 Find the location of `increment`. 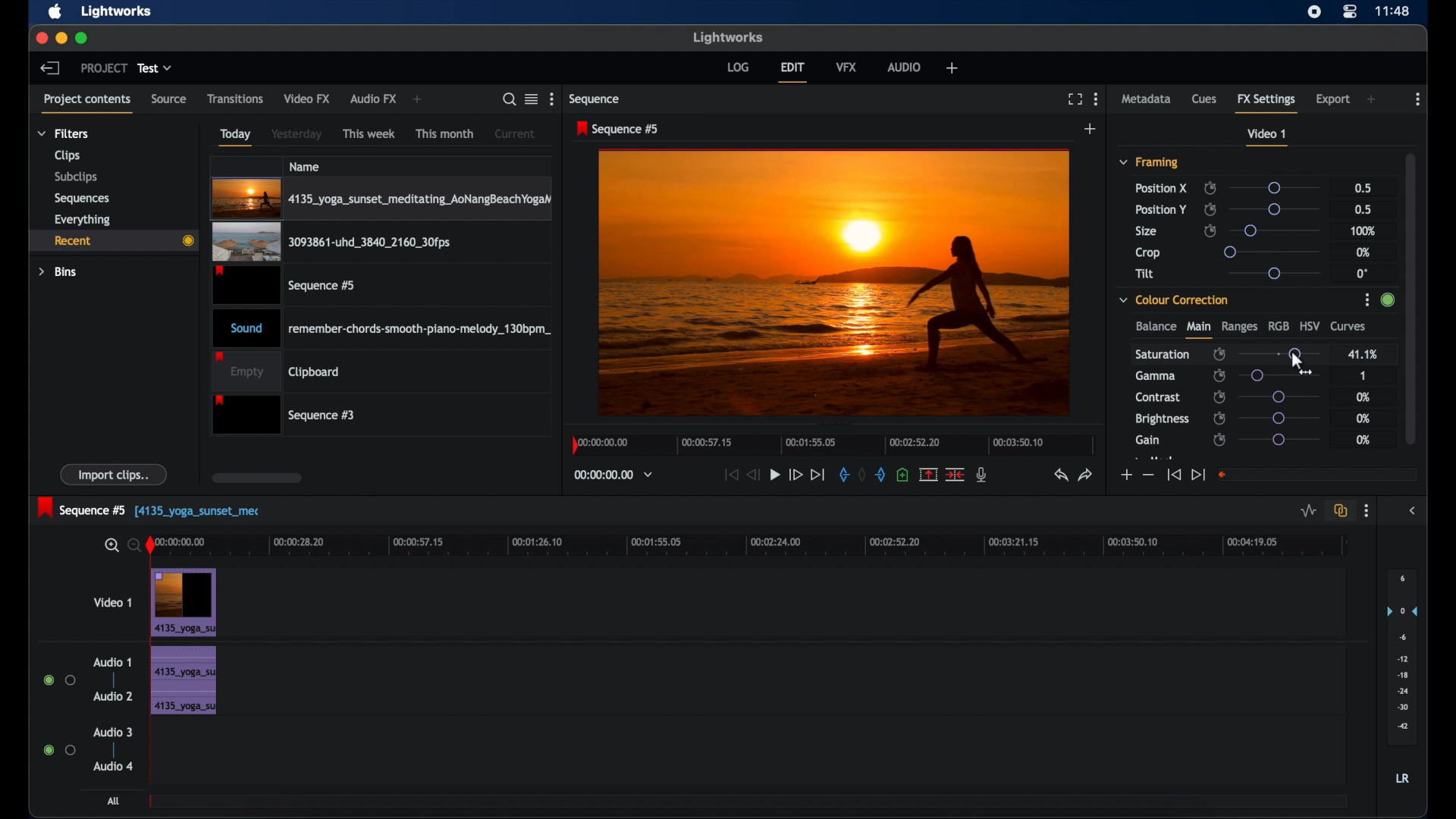

increment is located at coordinates (1125, 475).